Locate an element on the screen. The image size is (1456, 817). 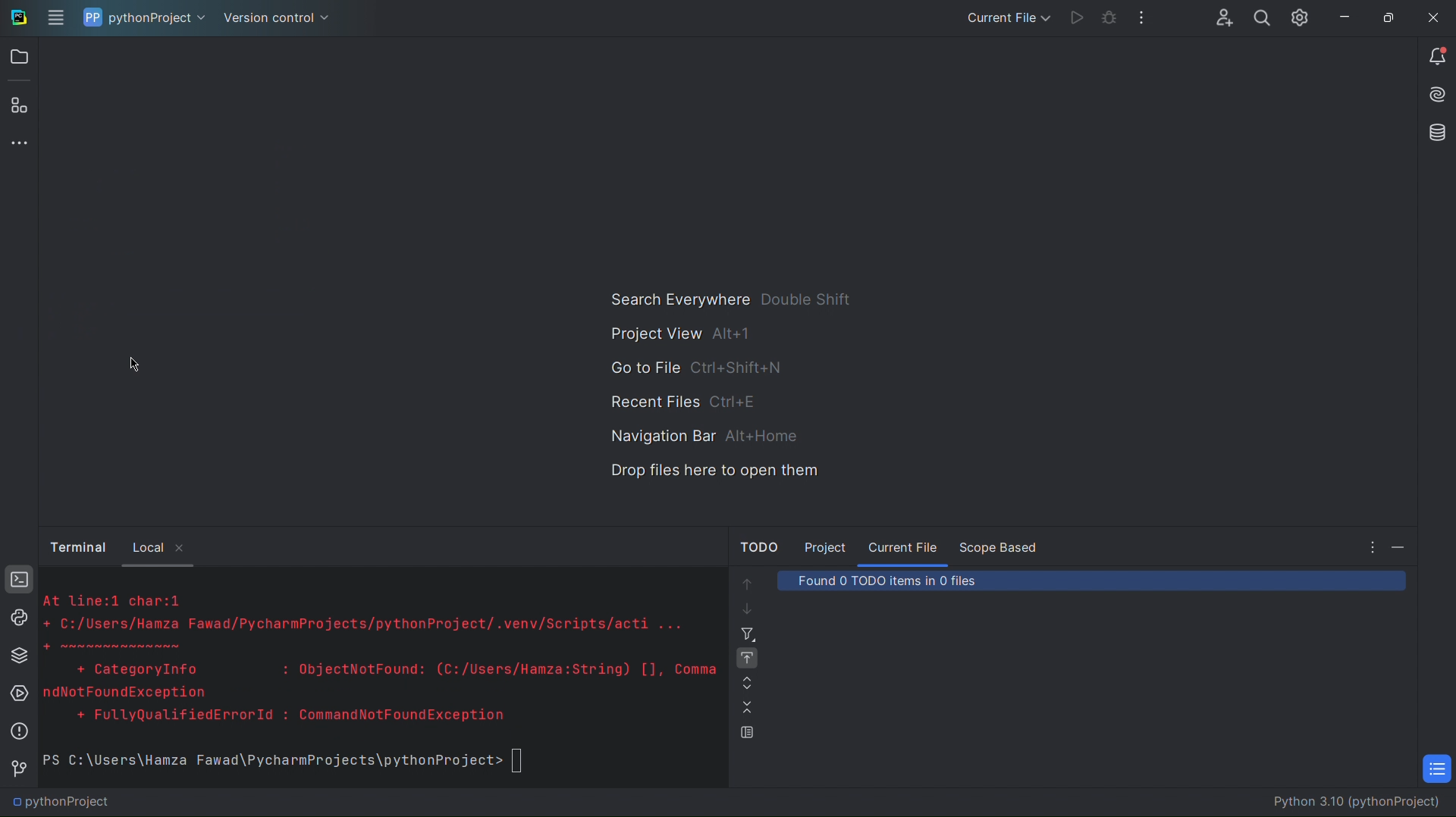
pythonProject is located at coordinates (64, 805).